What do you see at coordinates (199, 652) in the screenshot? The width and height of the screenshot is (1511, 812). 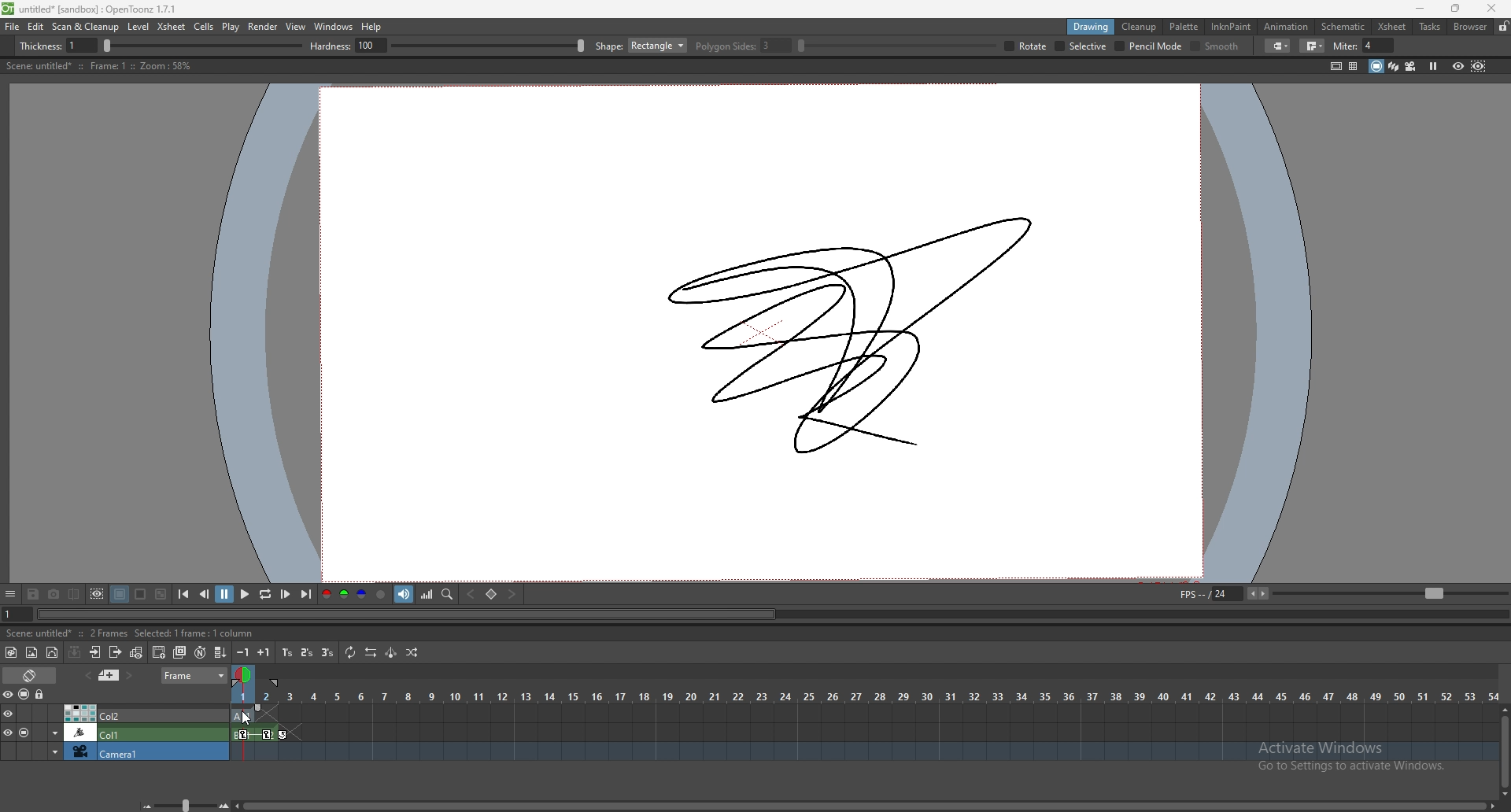 I see `auto input cell number` at bounding box center [199, 652].